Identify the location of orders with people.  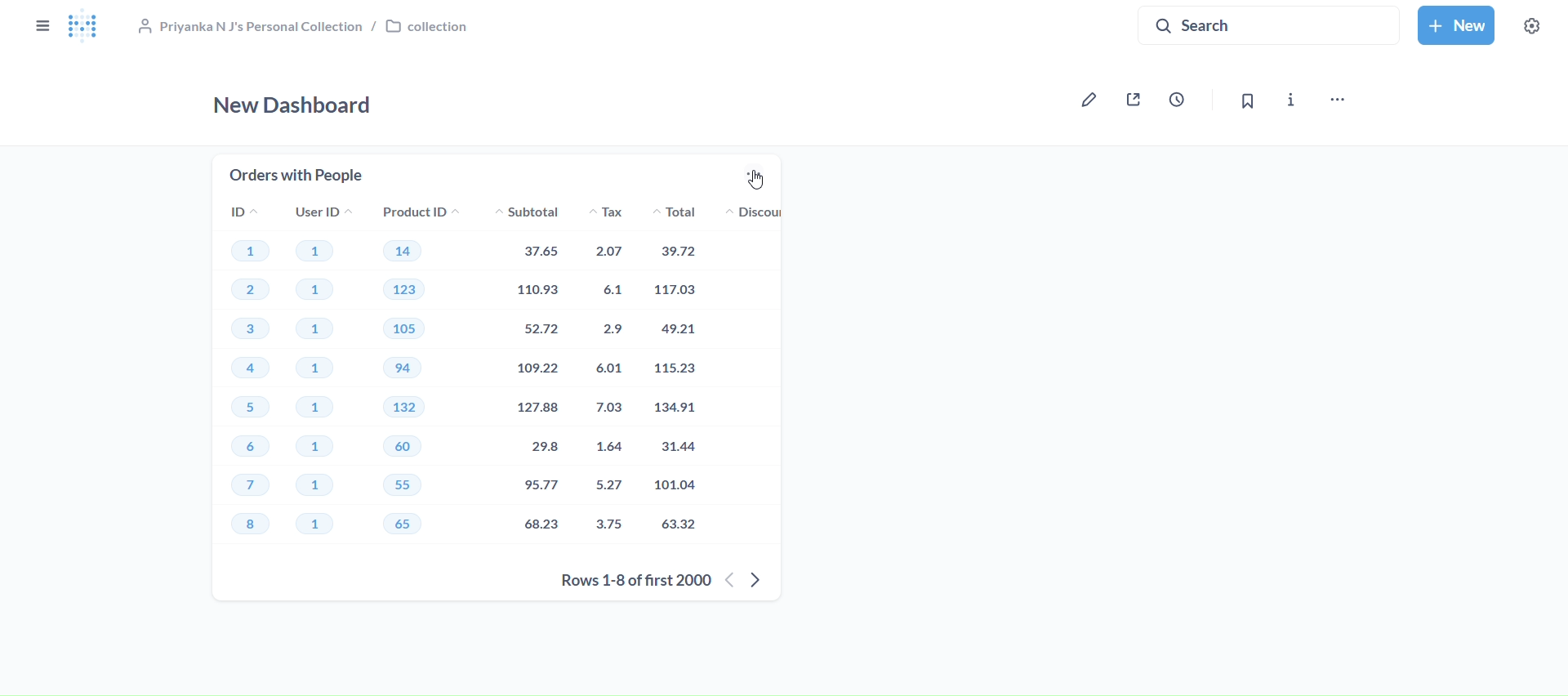
(296, 171).